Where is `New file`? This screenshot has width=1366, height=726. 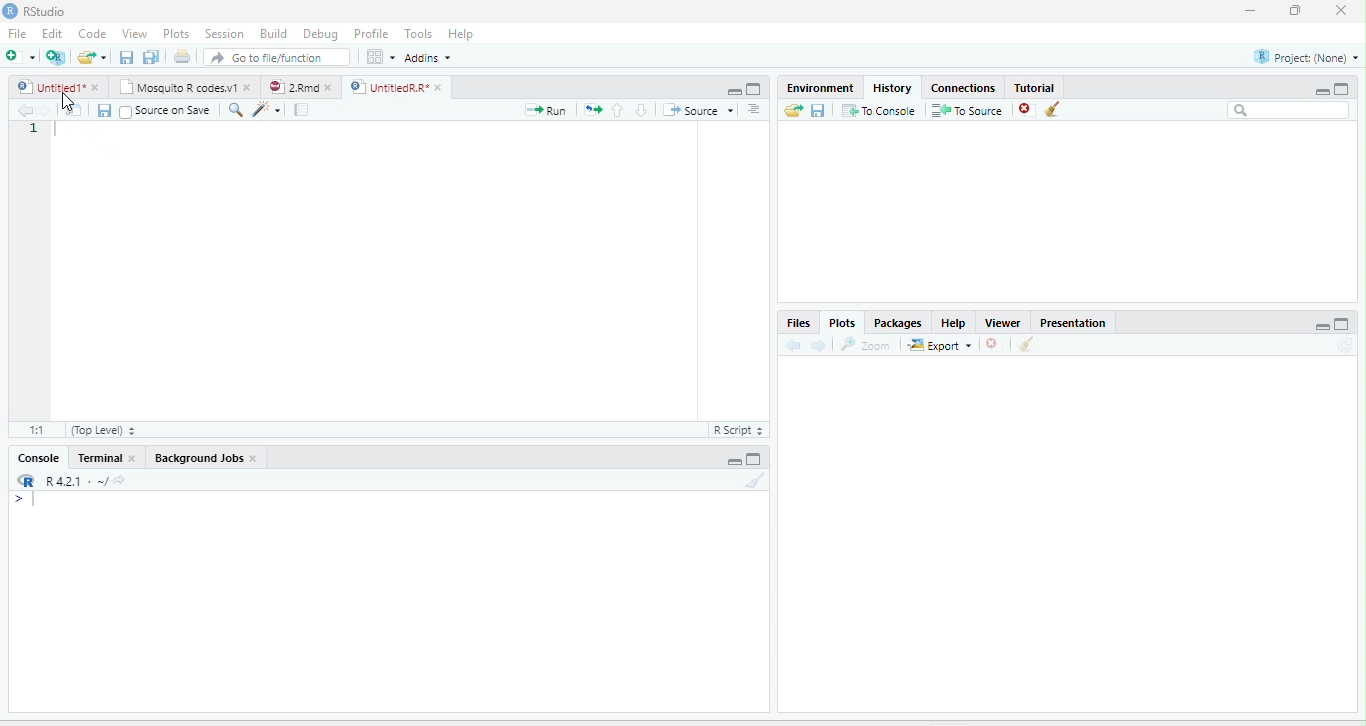
New file is located at coordinates (19, 56).